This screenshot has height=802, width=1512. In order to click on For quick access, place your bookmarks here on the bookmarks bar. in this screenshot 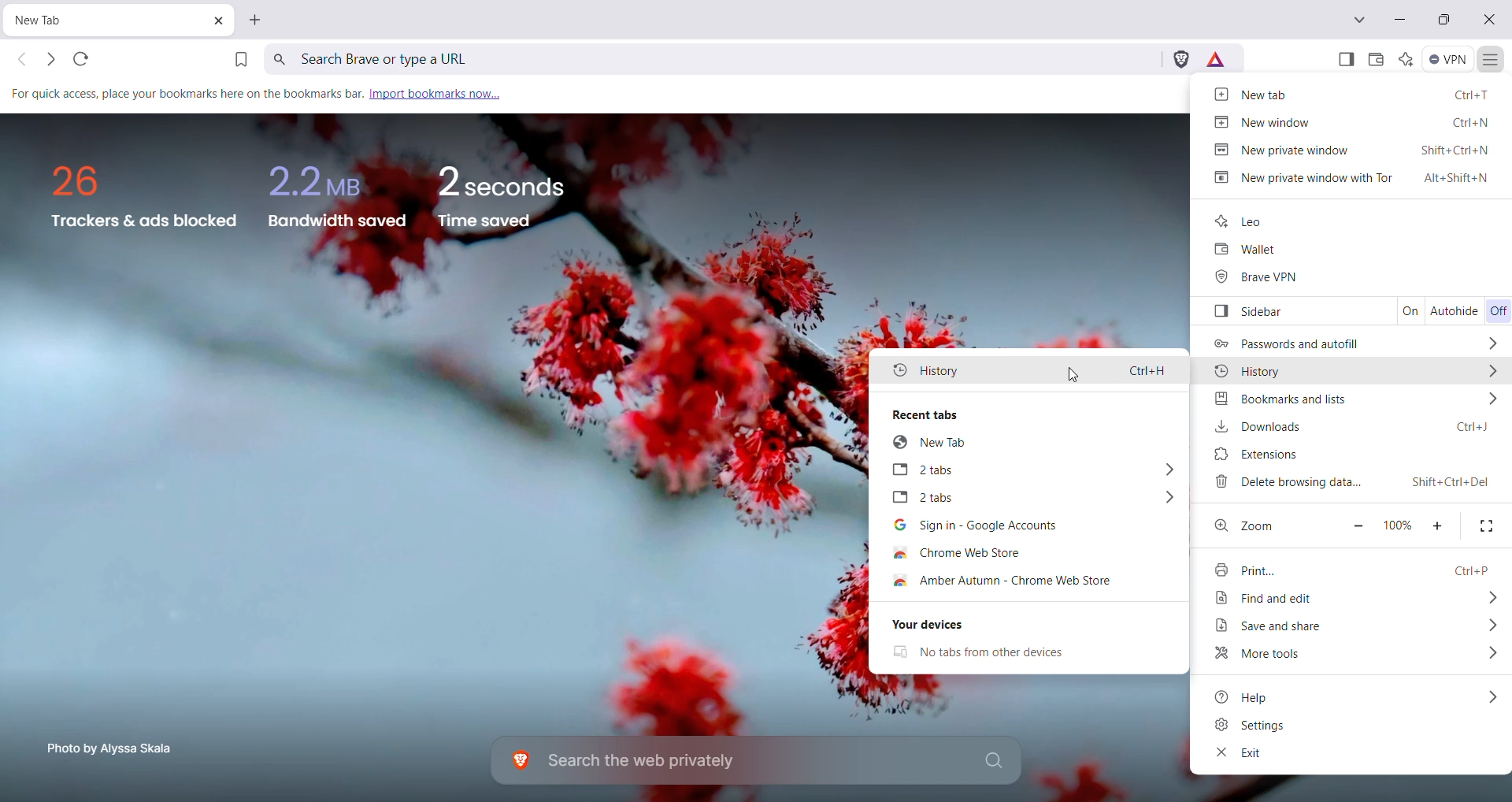, I will do `click(184, 95)`.